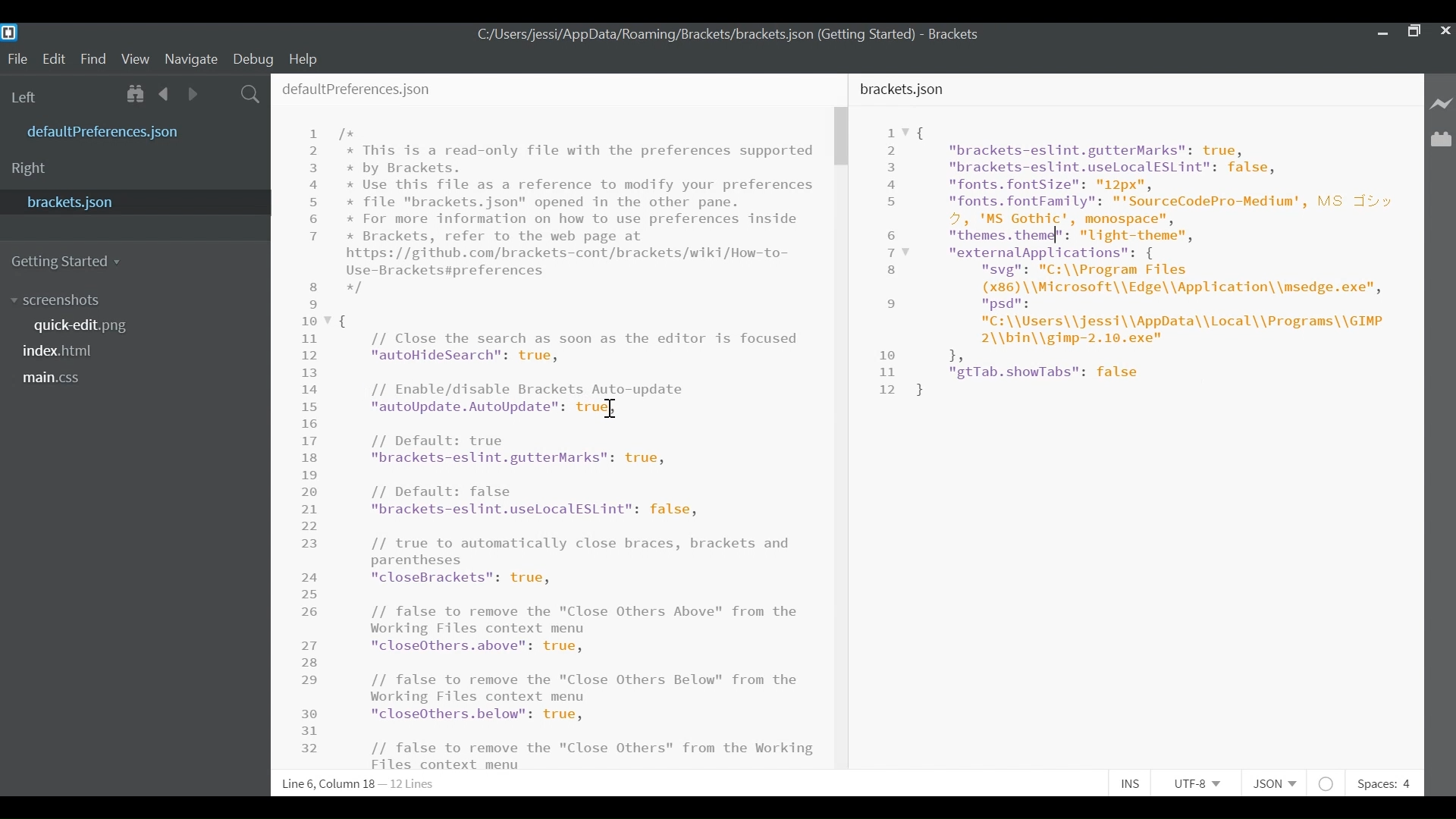 The width and height of the screenshot is (1456, 819). What do you see at coordinates (54, 58) in the screenshot?
I see `Edit` at bounding box center [54, 58].